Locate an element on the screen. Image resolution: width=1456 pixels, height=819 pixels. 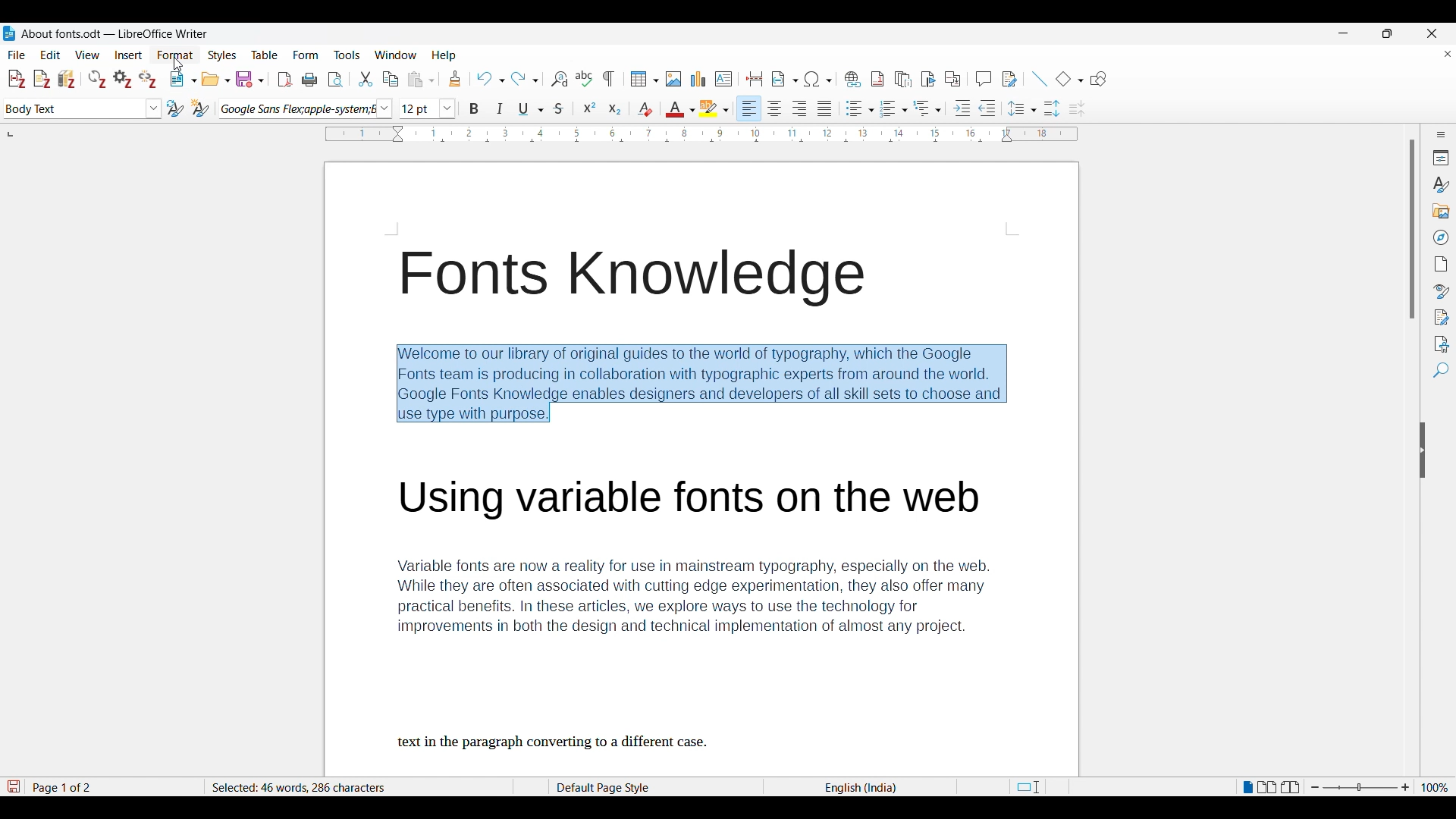
File menu is located at coordinates (17, 55).